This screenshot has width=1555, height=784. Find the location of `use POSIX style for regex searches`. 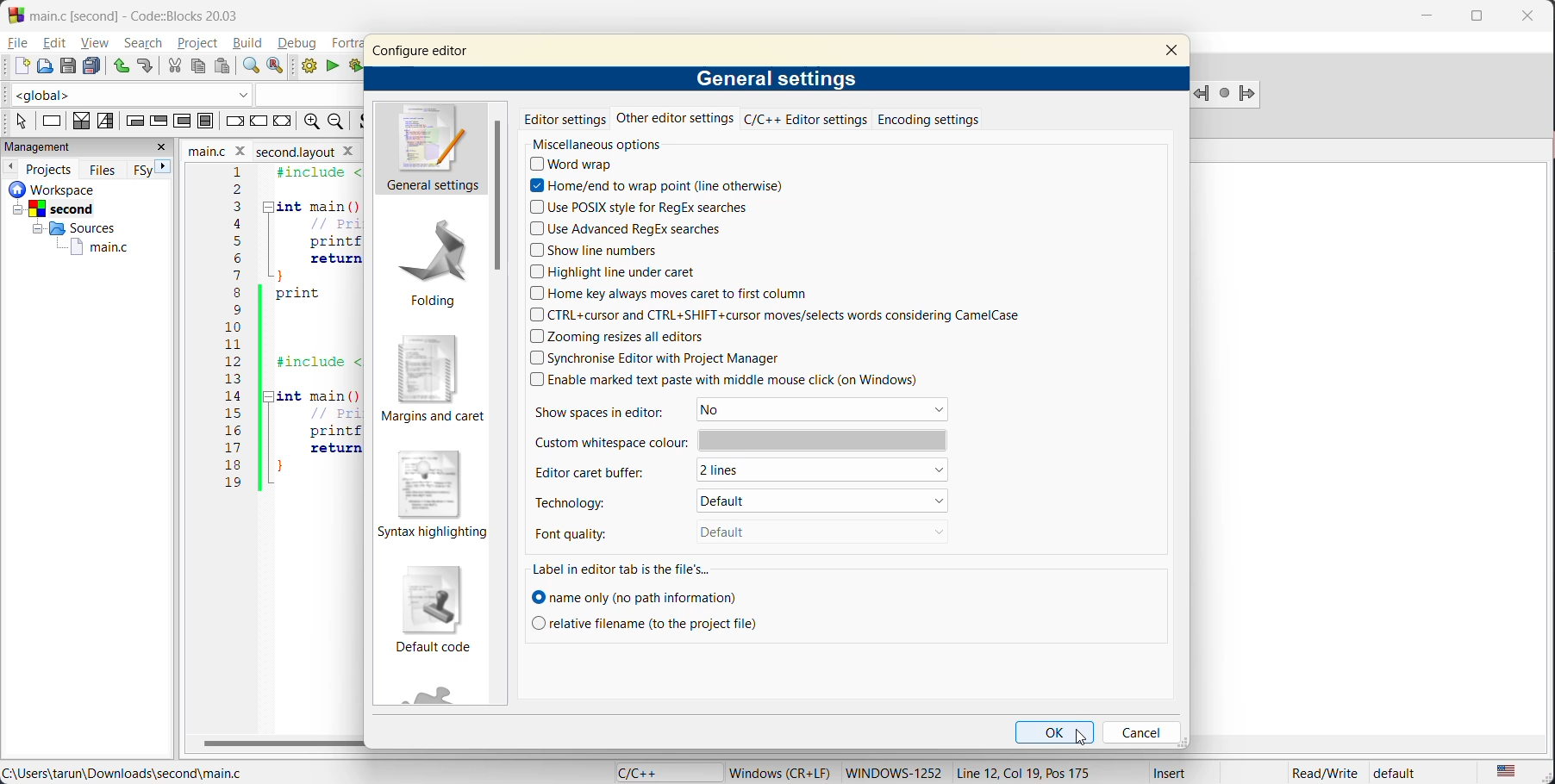

use POSIX style for regex searches is located at coordinates (643, 209).